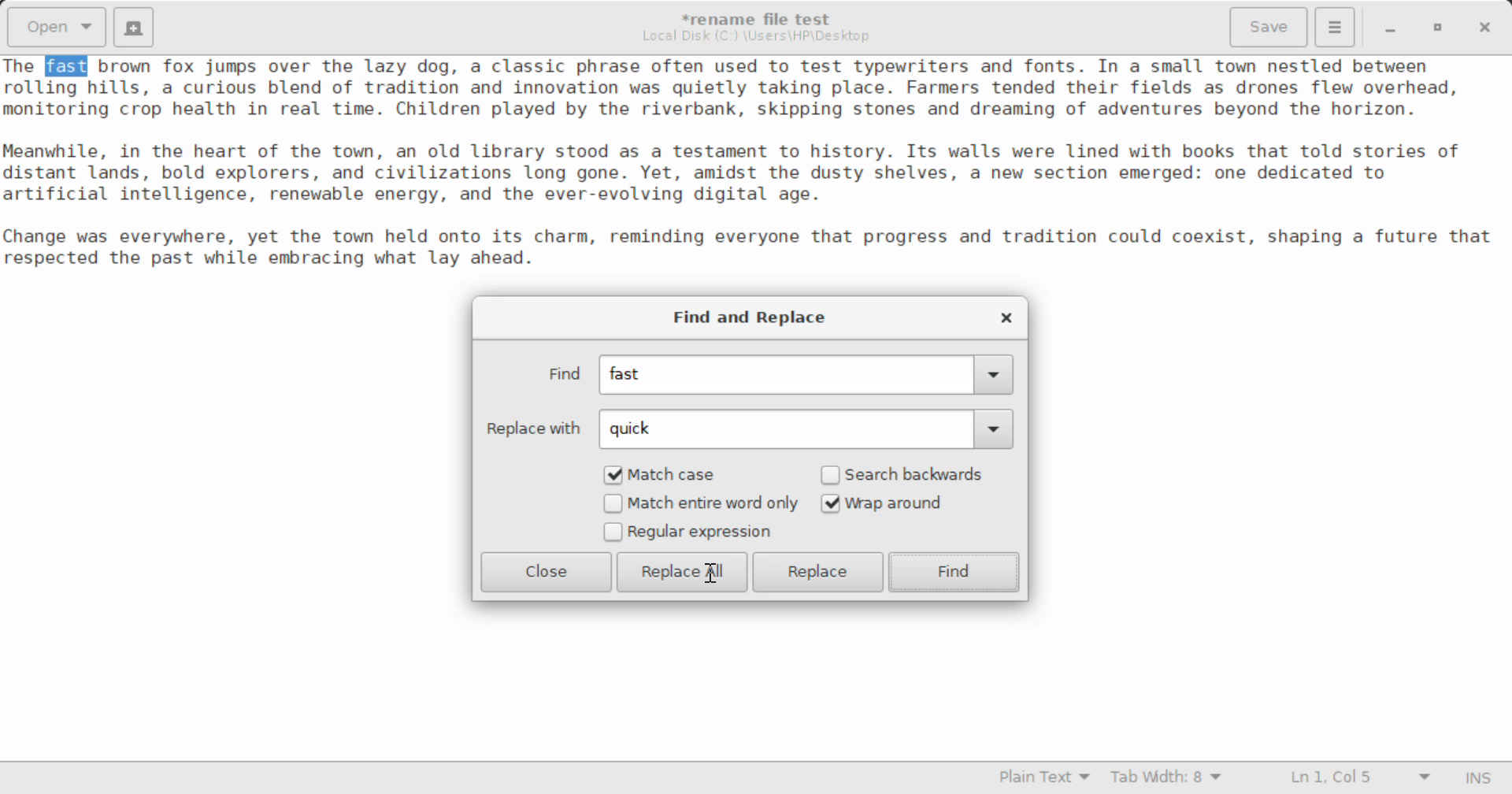  What do you see at coordinates (688, 533) in the screenshot?
I see `Regular expression ` at bounding box center [688, 533].